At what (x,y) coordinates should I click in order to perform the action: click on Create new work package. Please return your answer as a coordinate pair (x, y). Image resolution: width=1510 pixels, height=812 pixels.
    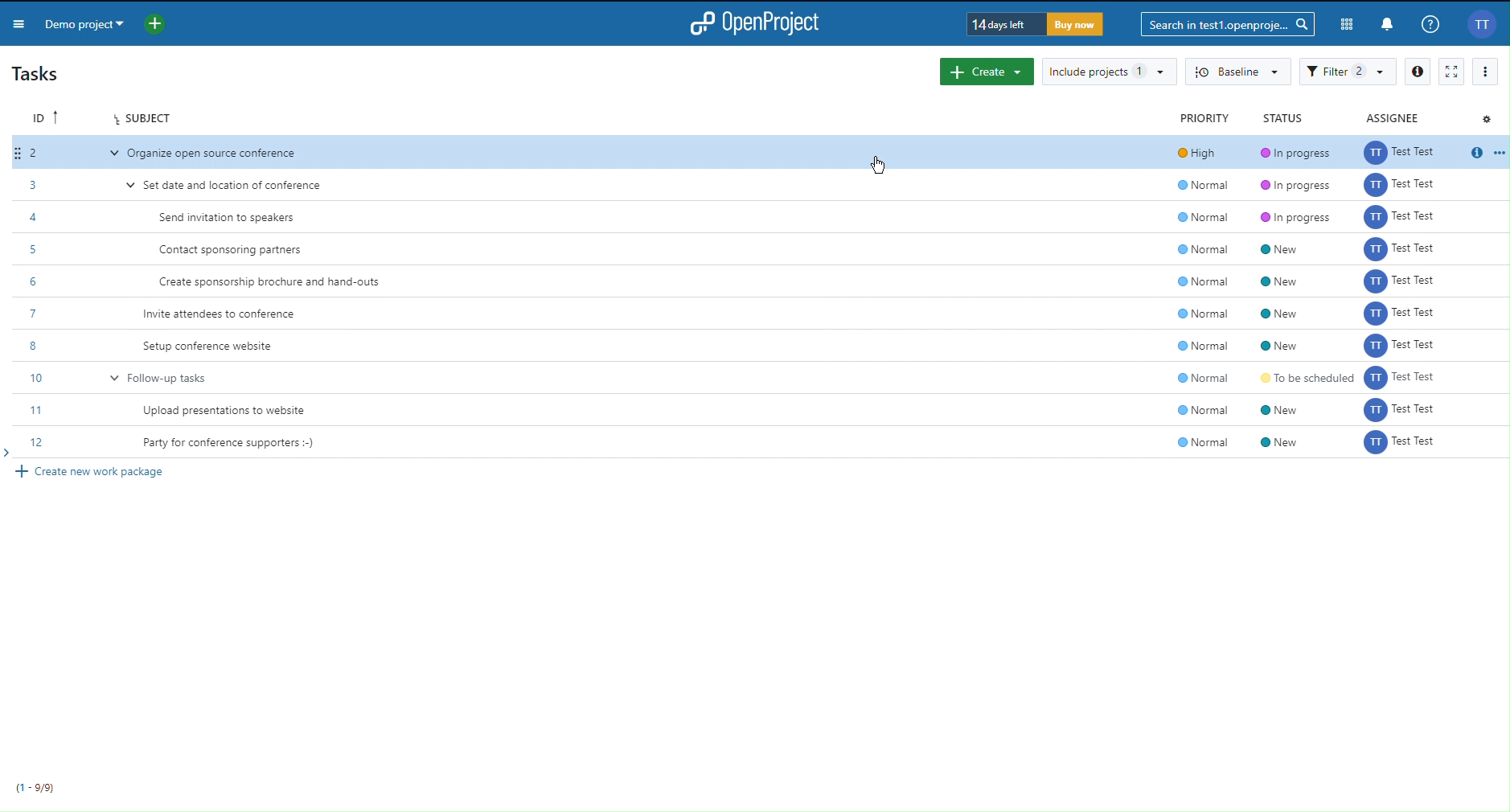
    Looking at the image, I should click on (96, 471).